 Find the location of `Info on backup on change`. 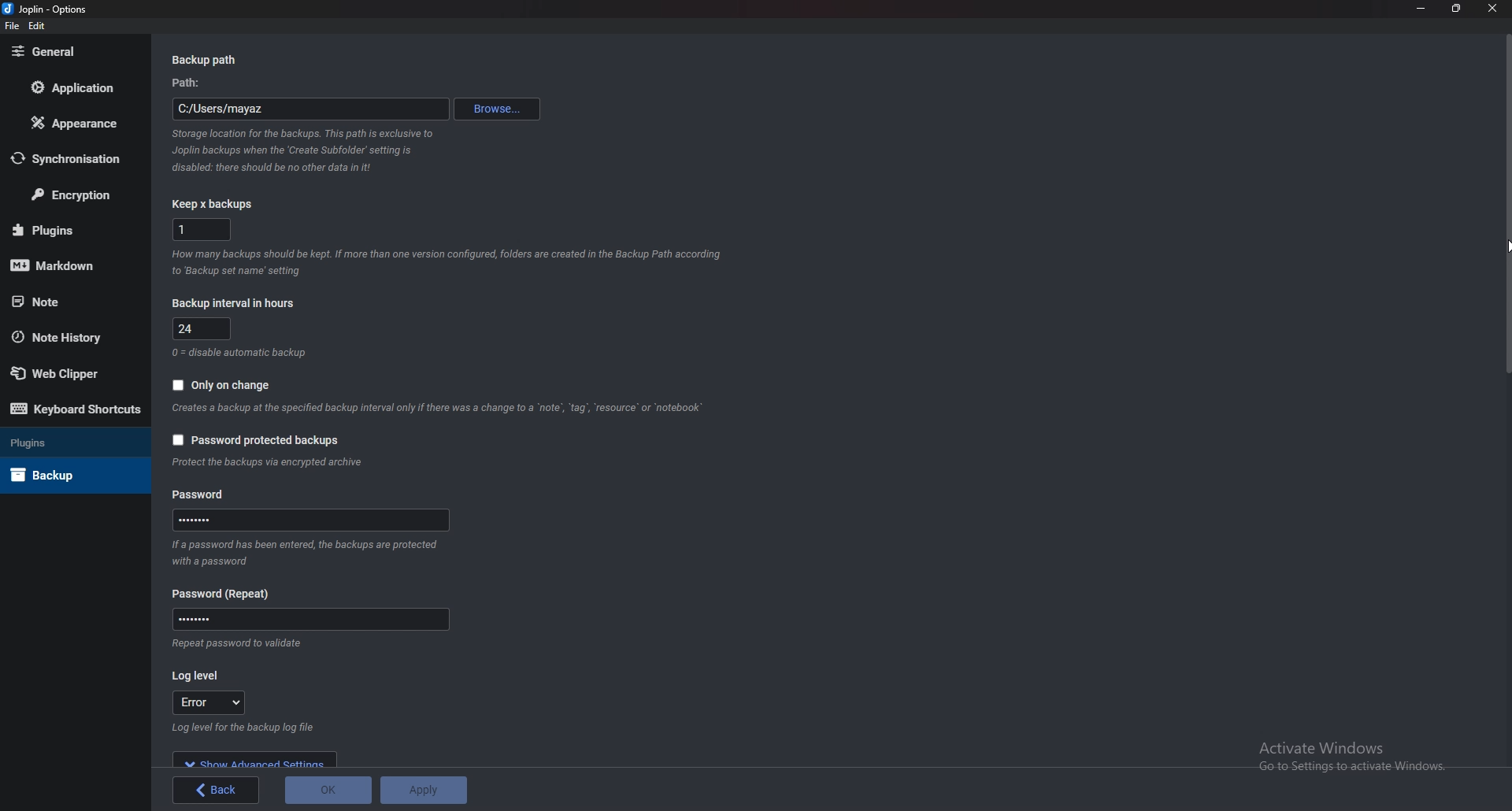

Info on backup on change is located at coordinates (437, 409).